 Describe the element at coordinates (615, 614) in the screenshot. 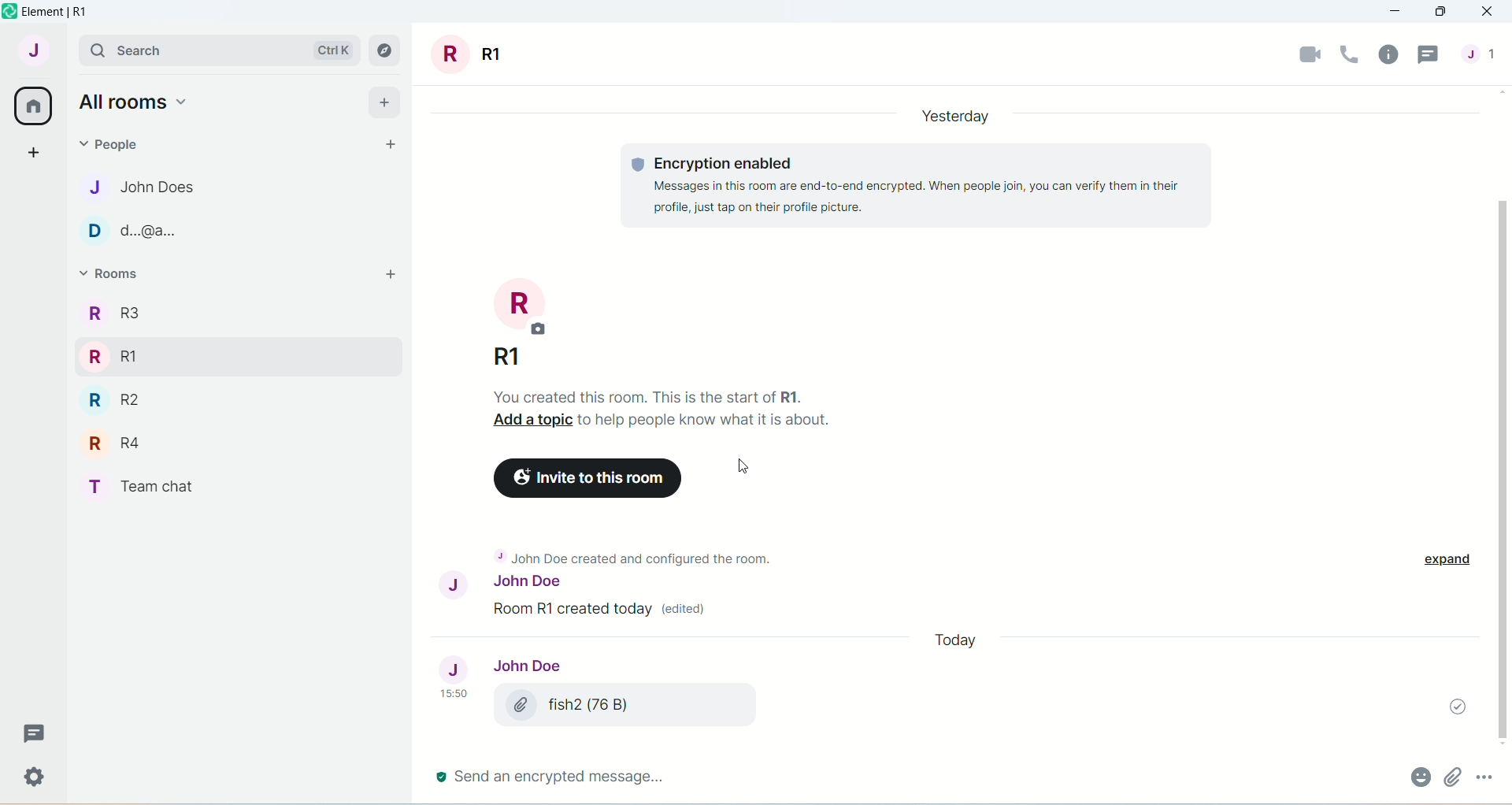

I see `John Doe created and configure the room.` at that location.